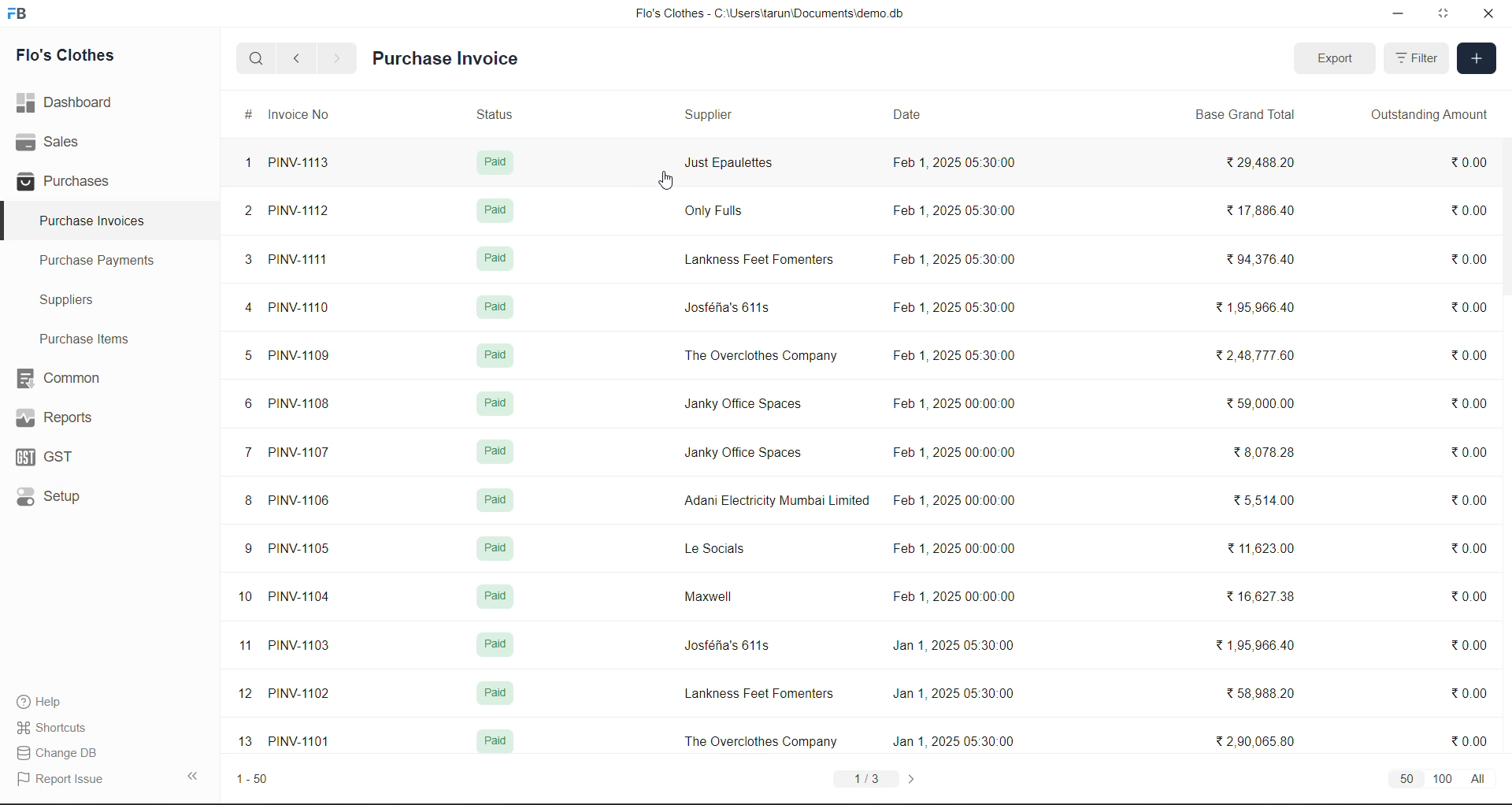 The height and width of the screenshot is (805, 1512). What do you see at coordinates (959, 212) in the screenshot?
I see `Feb 1, 2025 05:30:00` at bounding box center [959, 212].